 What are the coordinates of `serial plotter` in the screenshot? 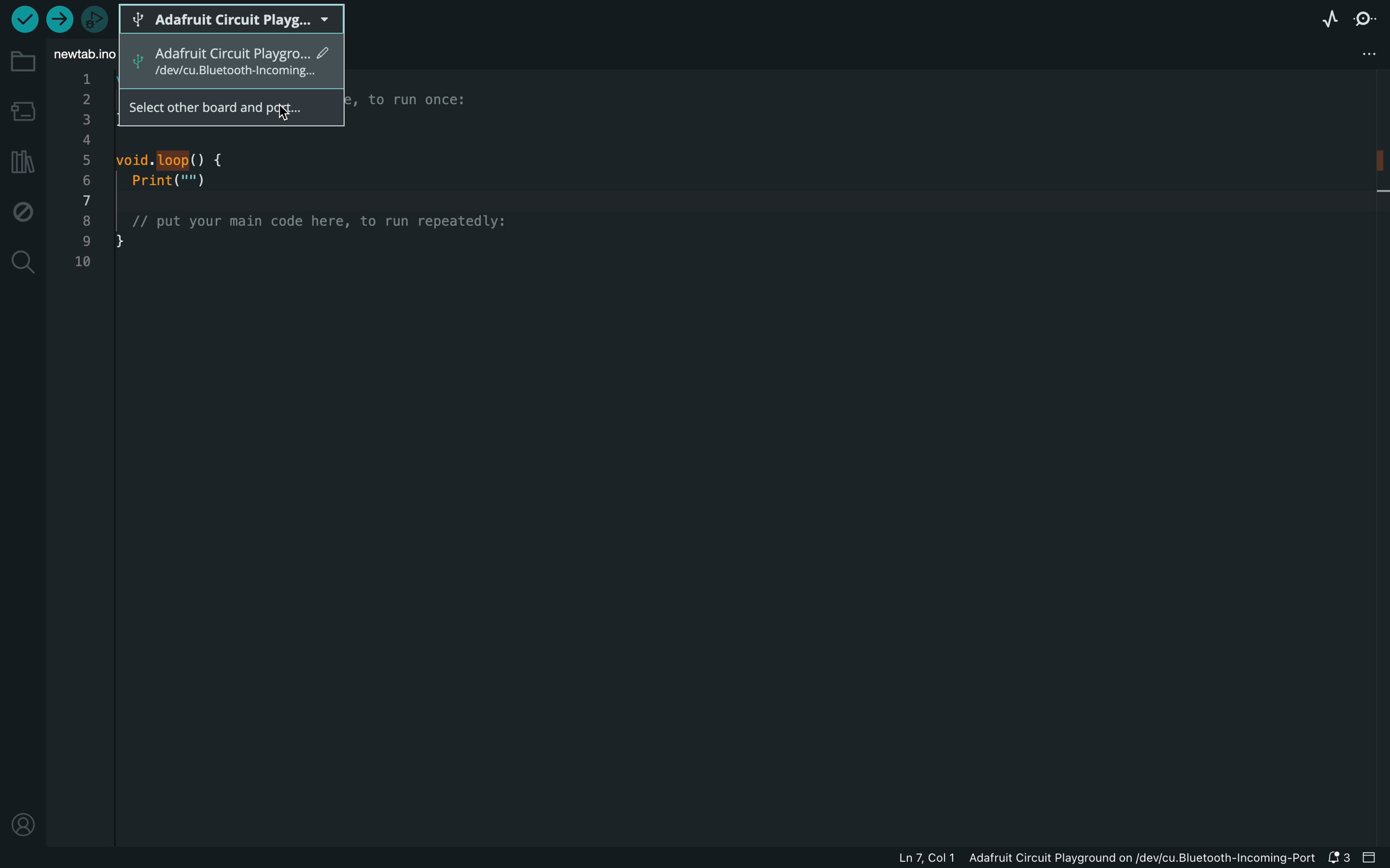 It's located at (1328, 19).